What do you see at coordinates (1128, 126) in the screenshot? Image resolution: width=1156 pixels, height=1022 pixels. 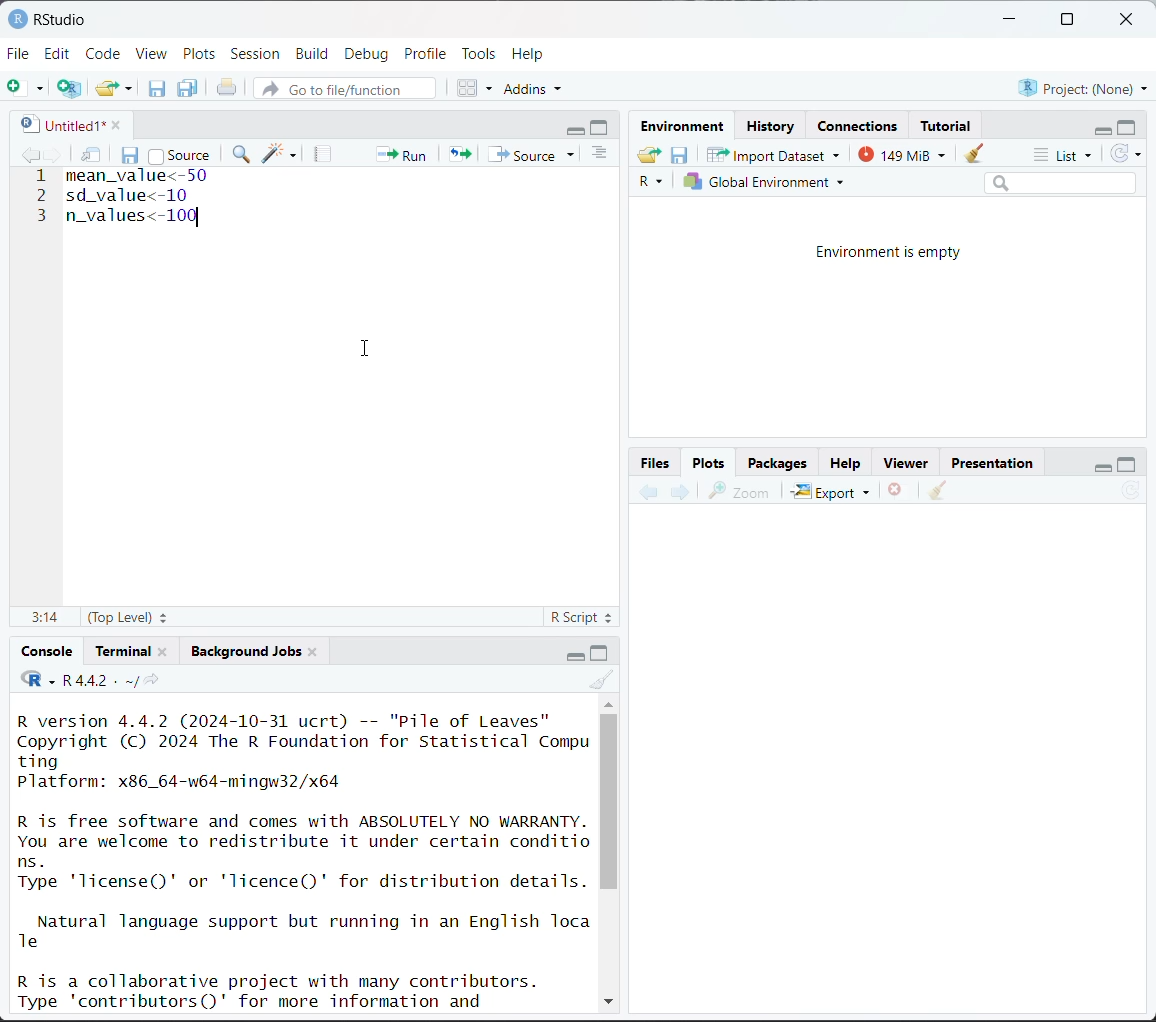 I see `maximize` at bounding box center [1128, 126].